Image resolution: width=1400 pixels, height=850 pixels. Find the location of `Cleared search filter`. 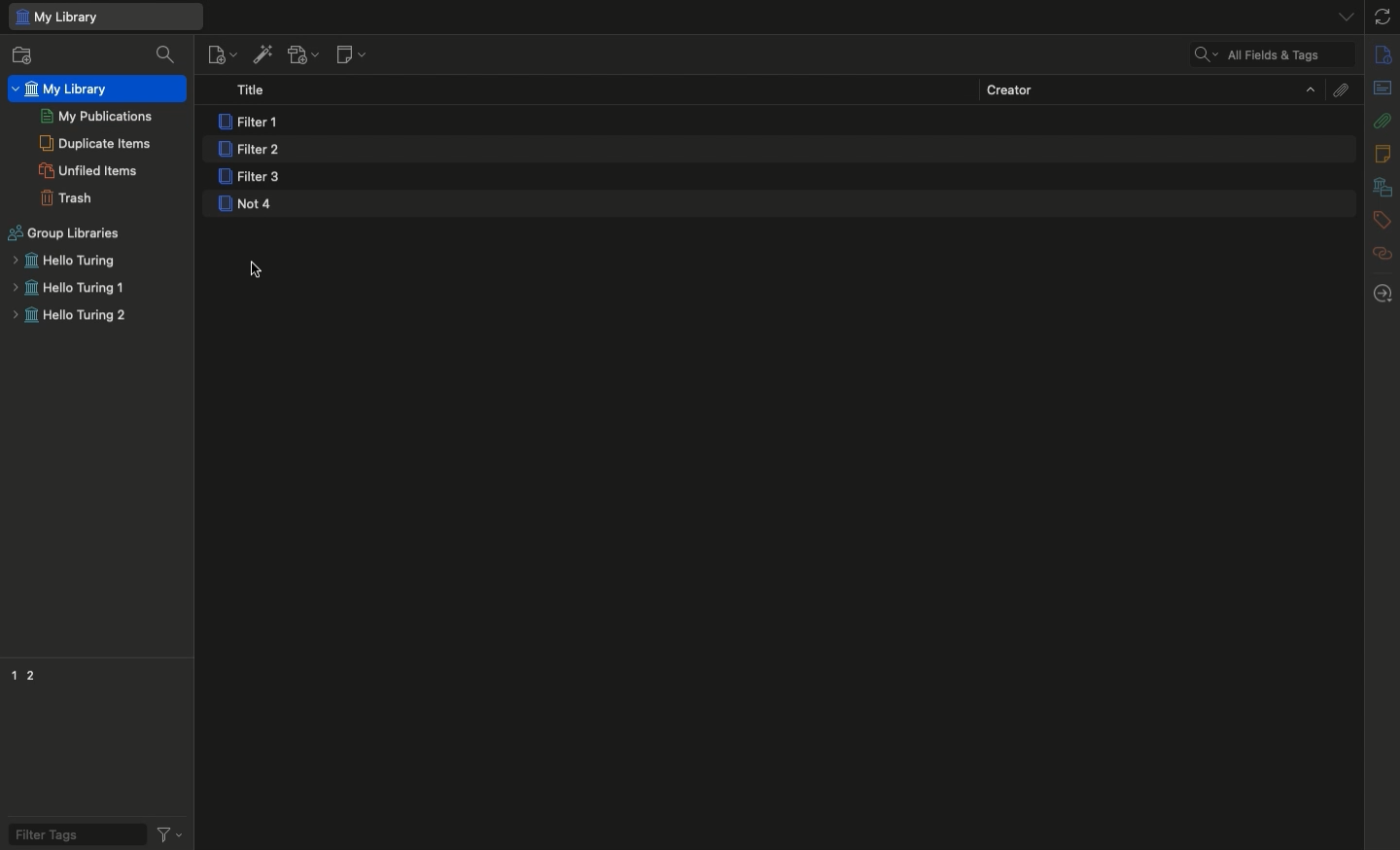

Cleared search filter is located at coordinates (1271, 55).